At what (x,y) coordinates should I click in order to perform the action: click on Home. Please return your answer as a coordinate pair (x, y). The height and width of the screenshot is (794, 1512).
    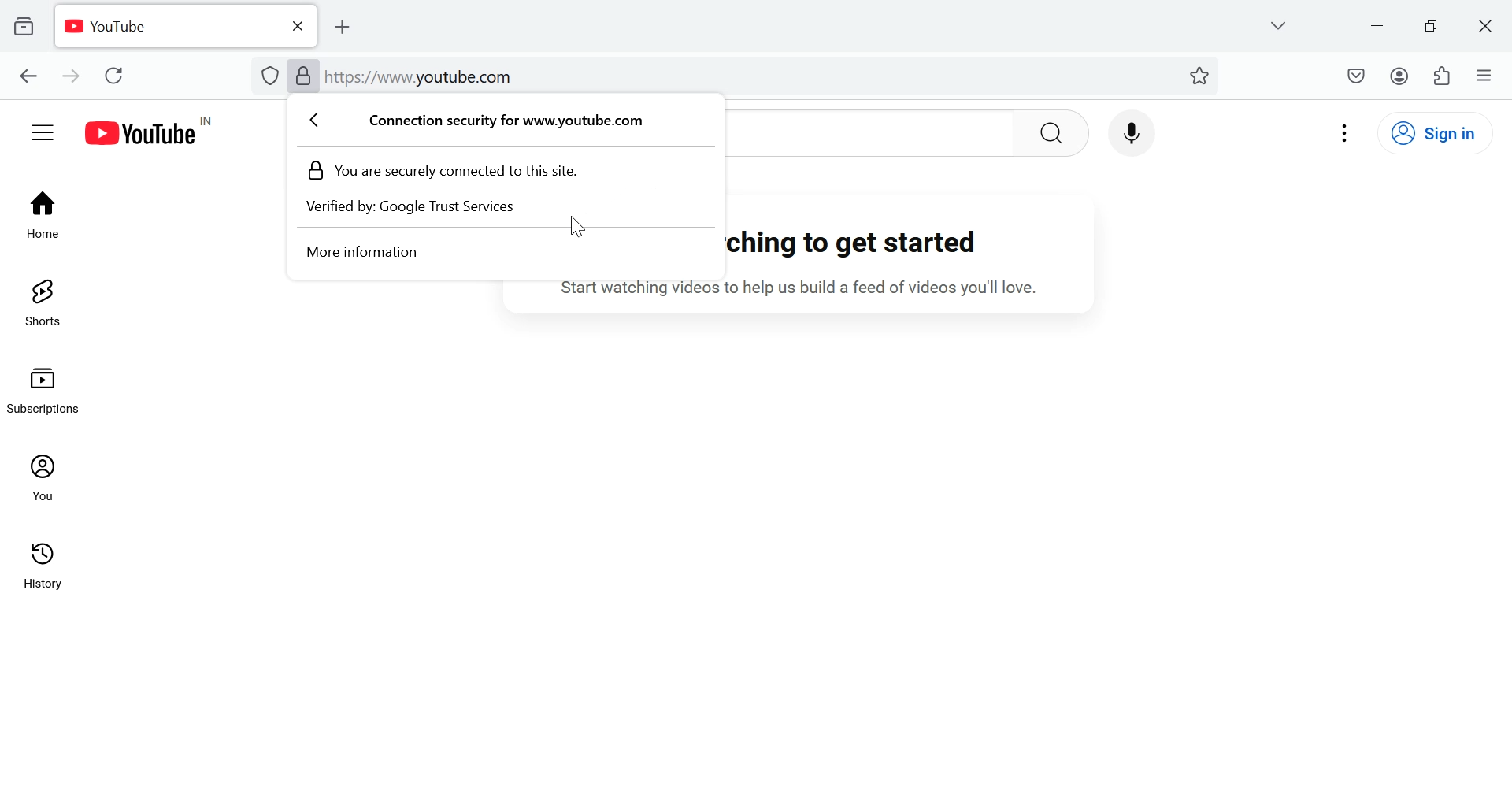
    Looking at the image, I should click on (42, 212).